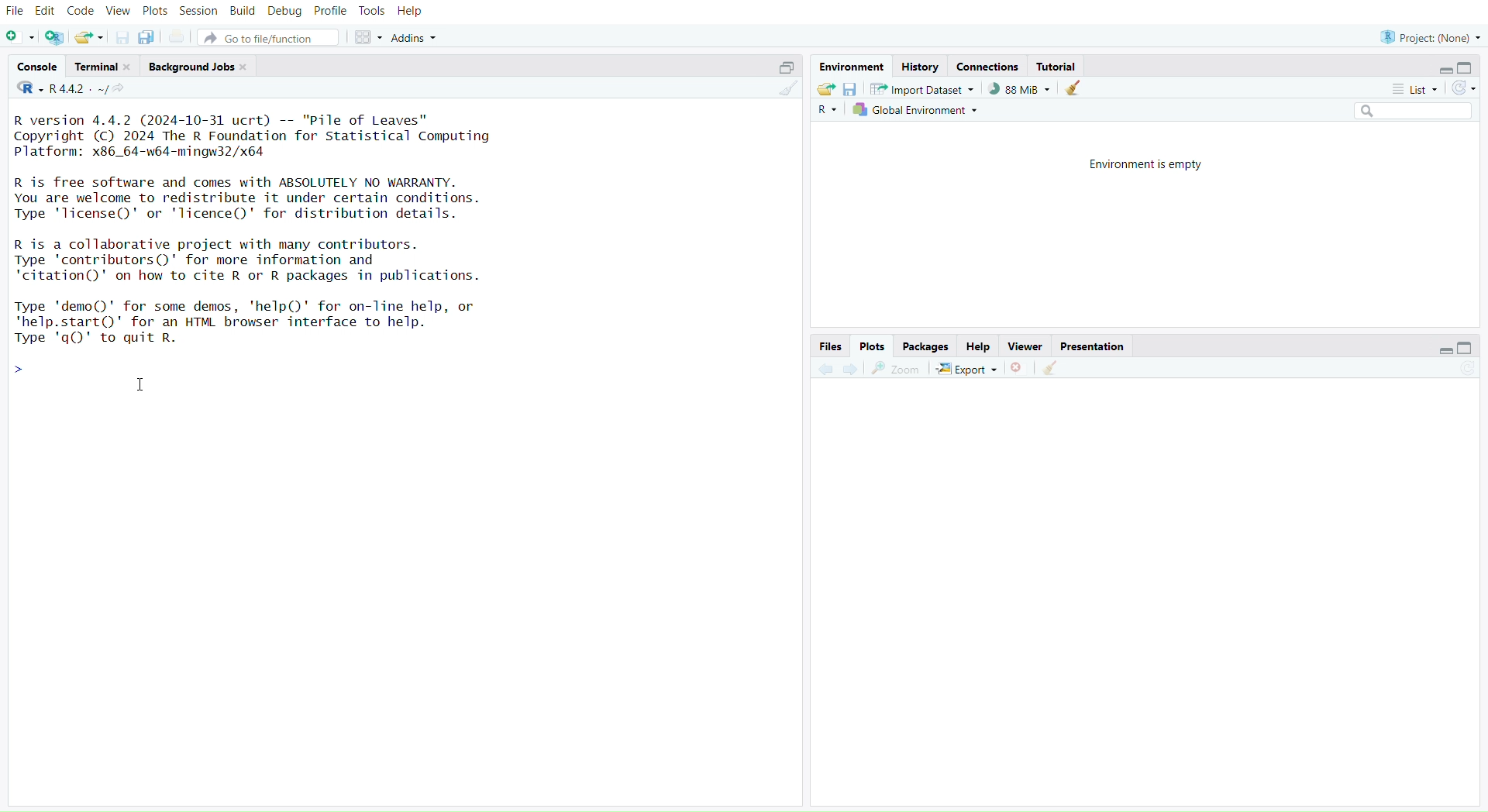  What do you see at coordinates (370, 38) in the screenshot?
I see `workspace panes` at bounding box center [370, 38].